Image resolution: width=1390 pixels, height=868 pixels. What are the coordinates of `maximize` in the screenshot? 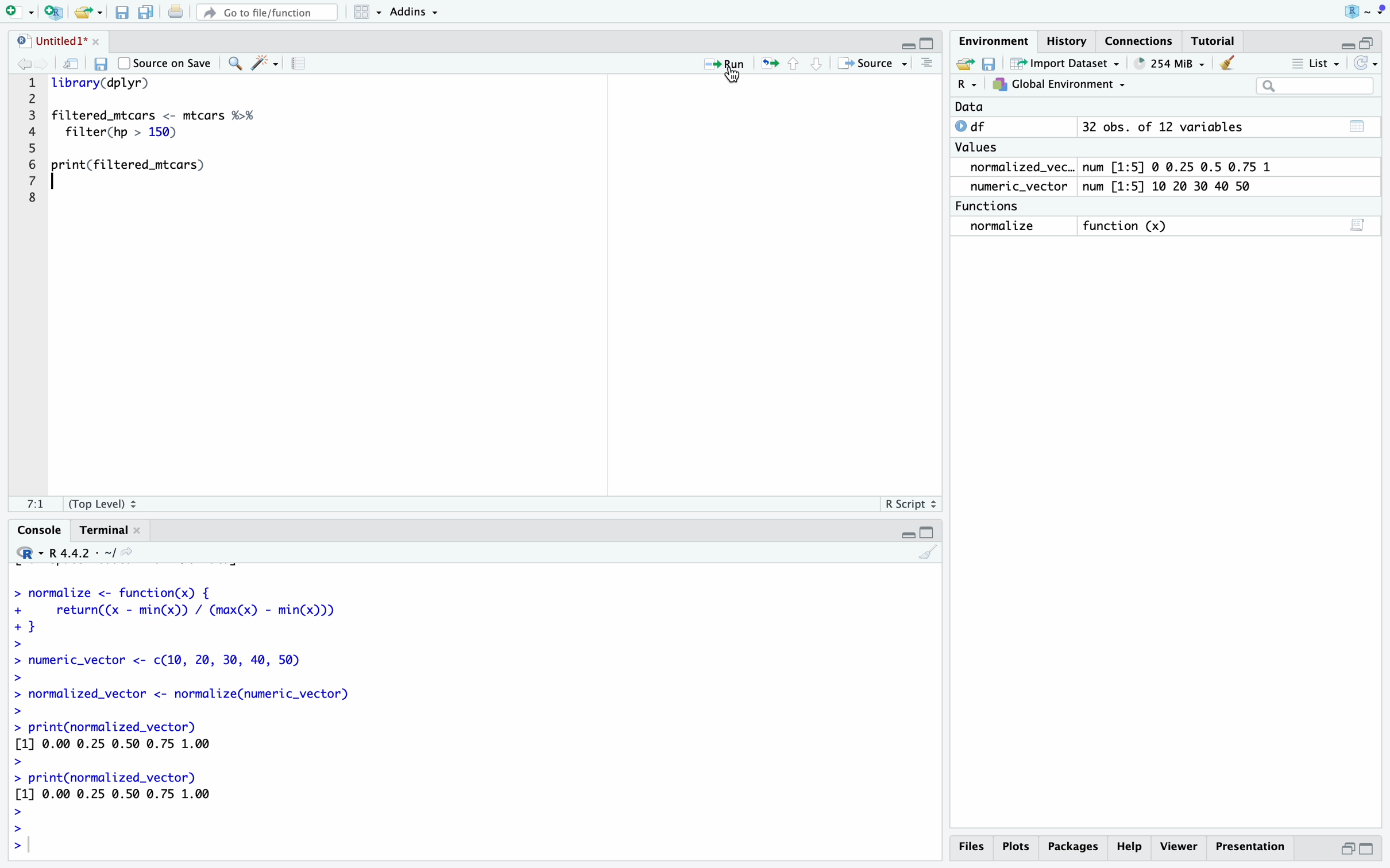 It's located at (930, 44).